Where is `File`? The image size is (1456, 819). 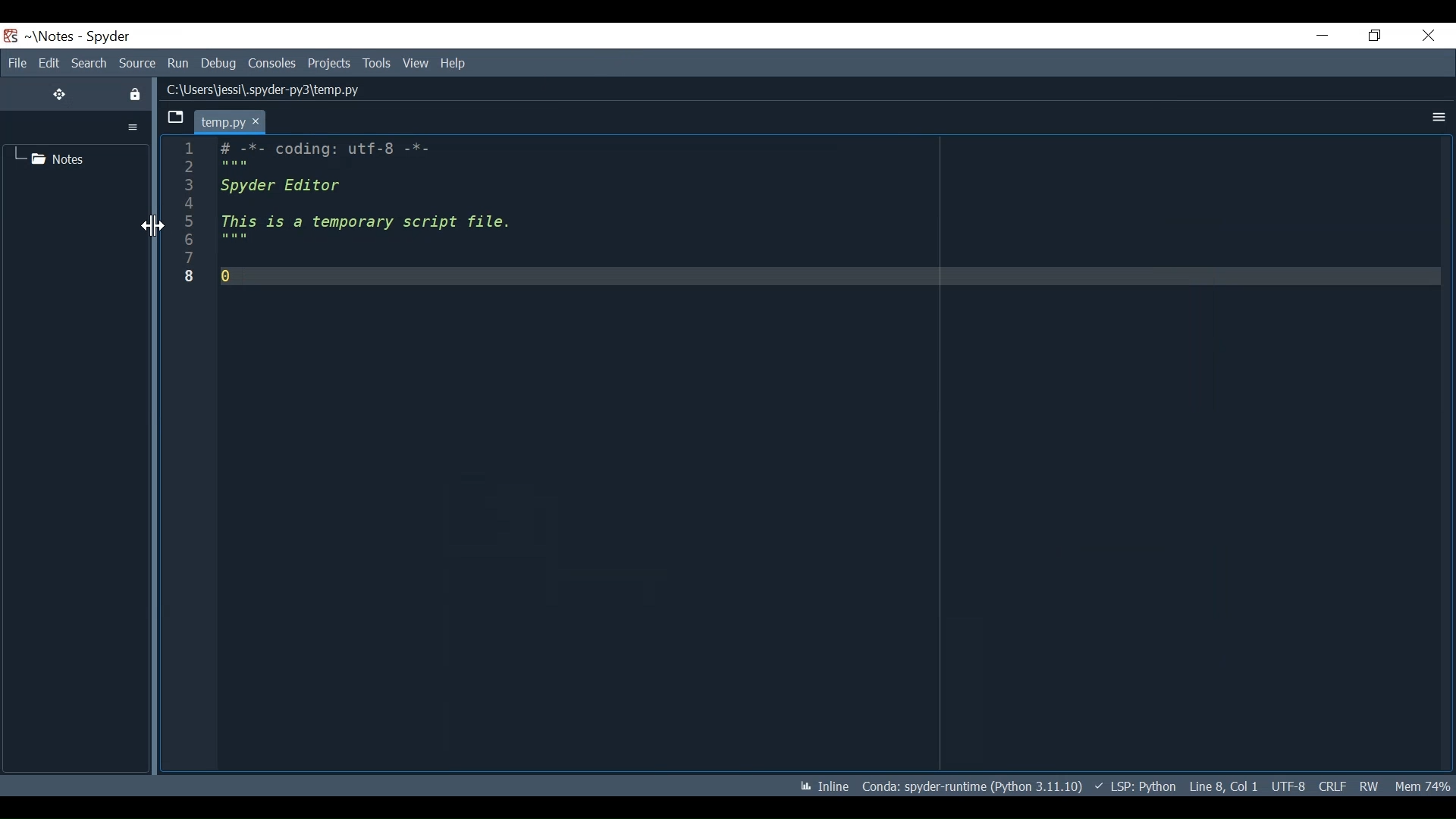 File is located at coordinates (15, 63).